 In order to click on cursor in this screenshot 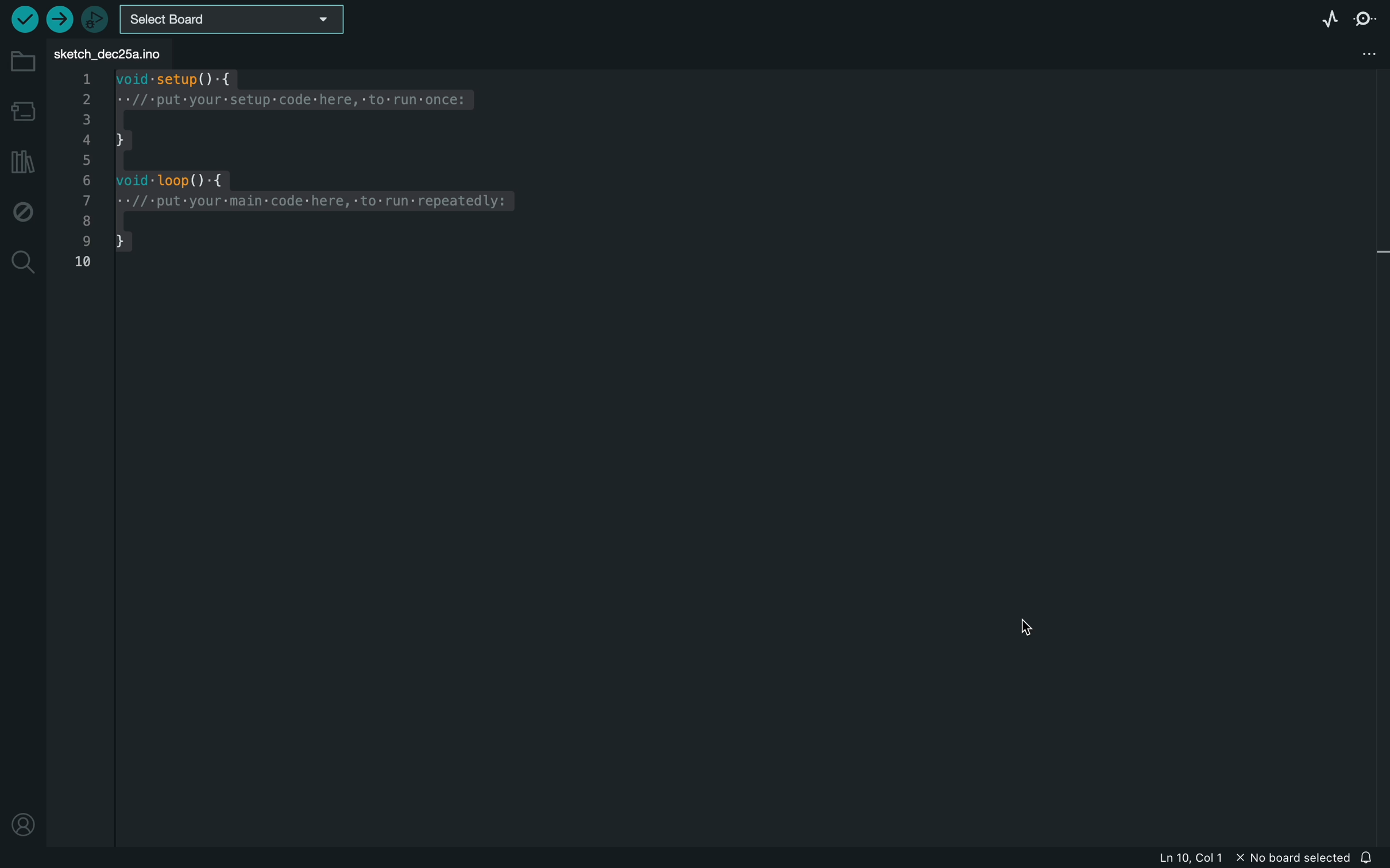, I will do `click(1036, 637)`.